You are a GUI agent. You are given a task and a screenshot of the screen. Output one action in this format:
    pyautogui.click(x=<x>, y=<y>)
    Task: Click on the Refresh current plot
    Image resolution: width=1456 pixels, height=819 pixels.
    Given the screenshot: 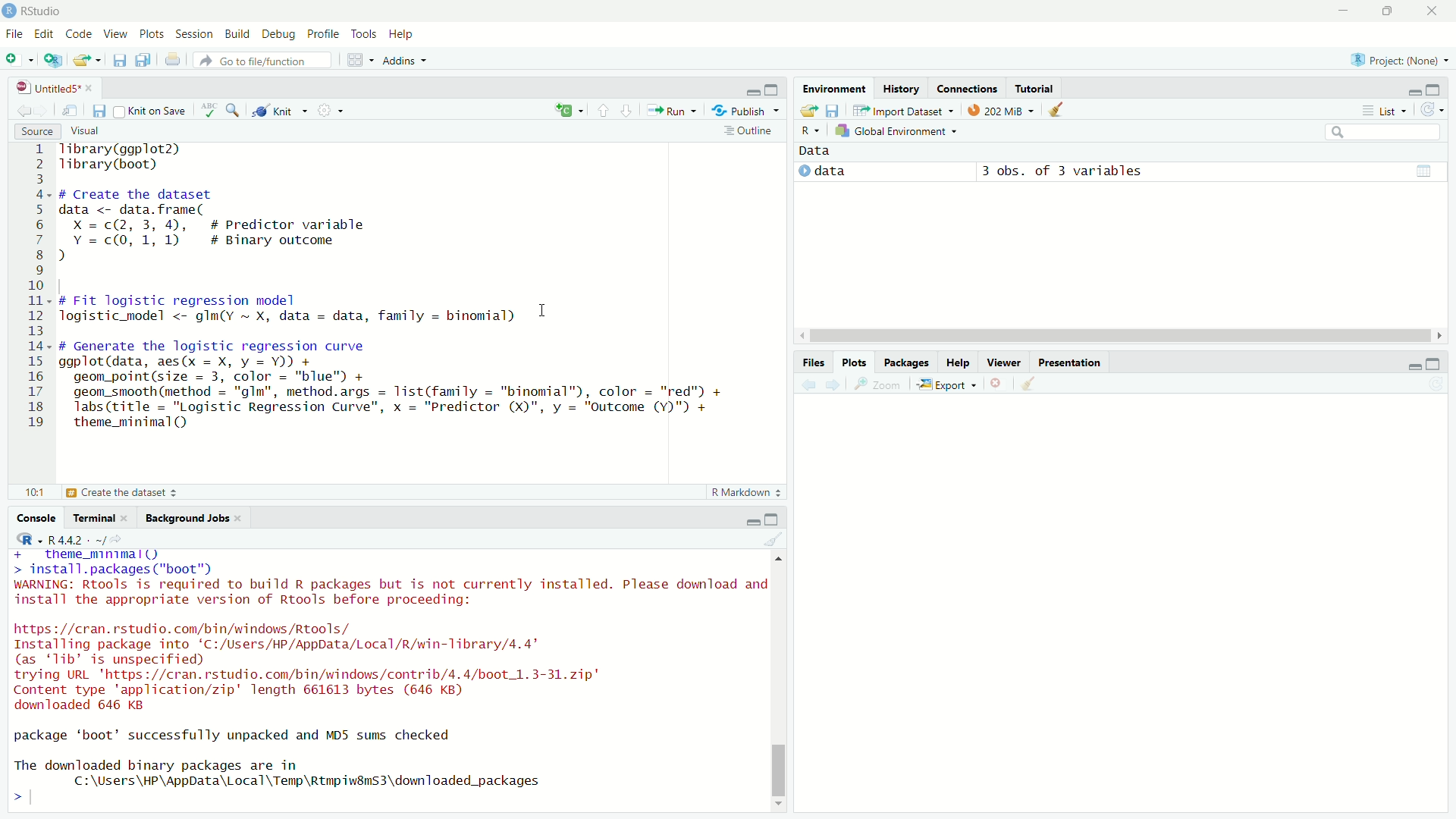 What is the action you would take?
    pyautogui.click(x=1436, y=384)
    